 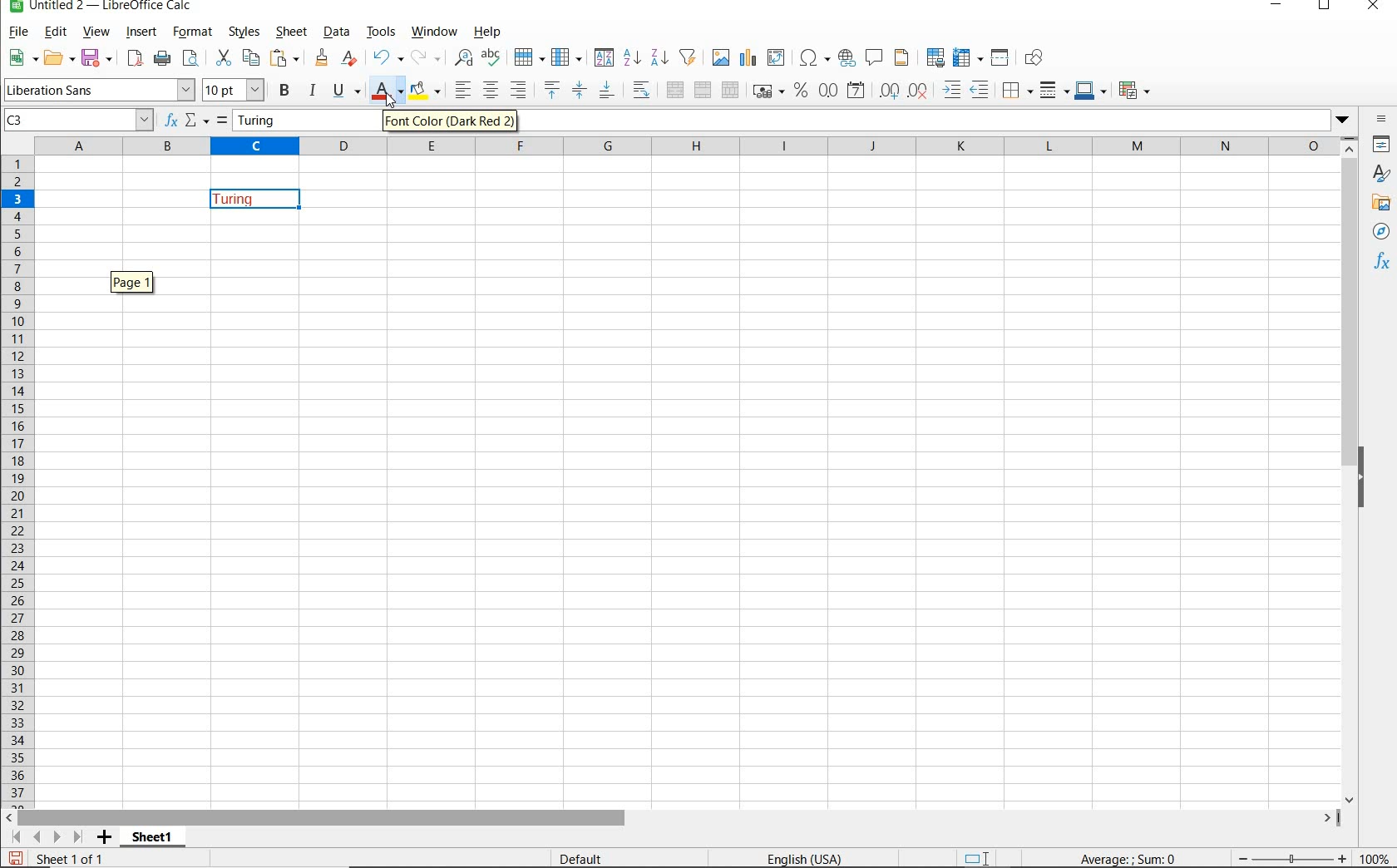 I want to click on FORMAT AS CURRENCY, so click(x=767, y=91).